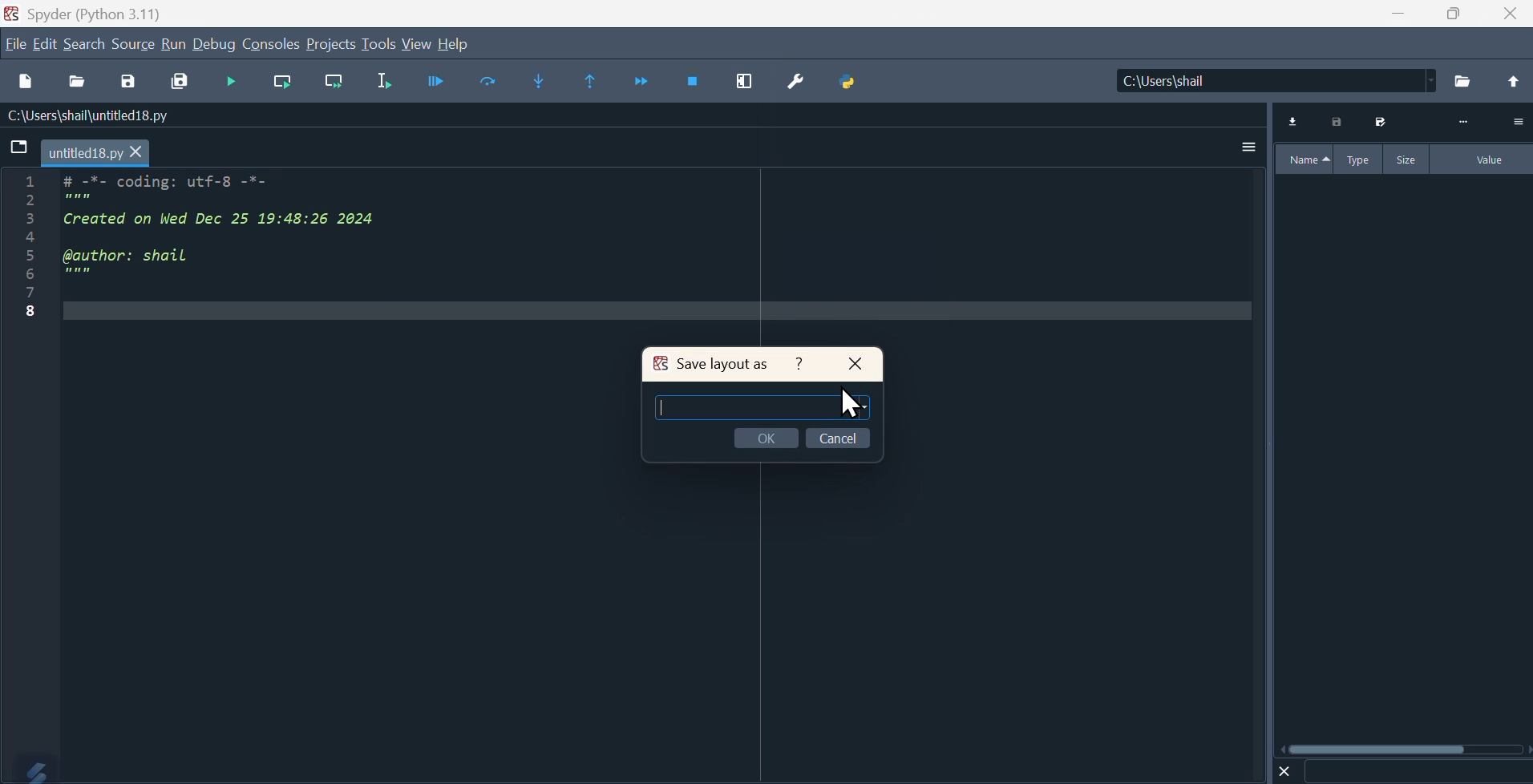  What do you see at coordinates (1294, 122) in the screenshot?
I see `Download` at bounding box center [1294, 122].